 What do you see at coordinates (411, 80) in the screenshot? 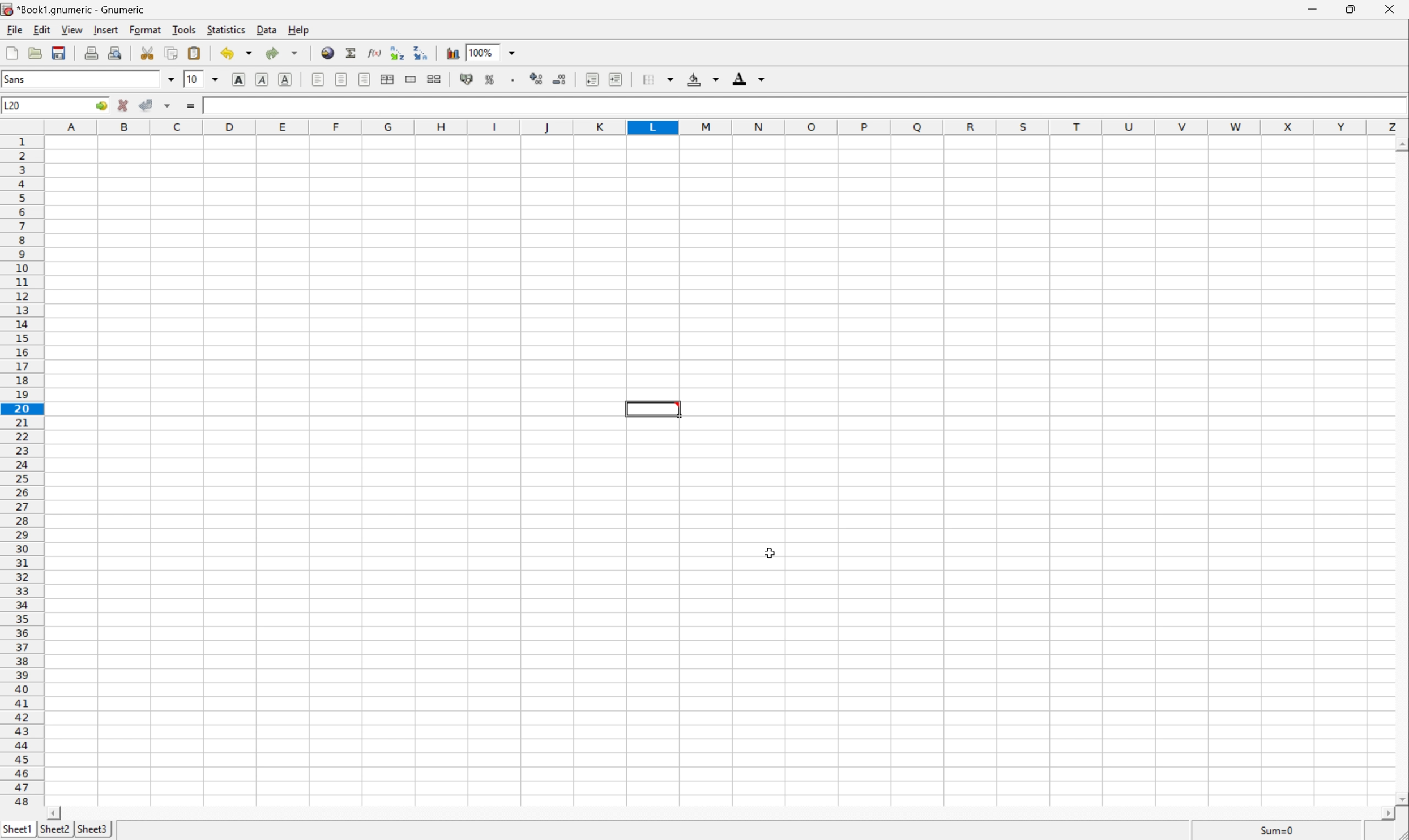
I see `Merge a range of cells` at bounding box center [411, 80].